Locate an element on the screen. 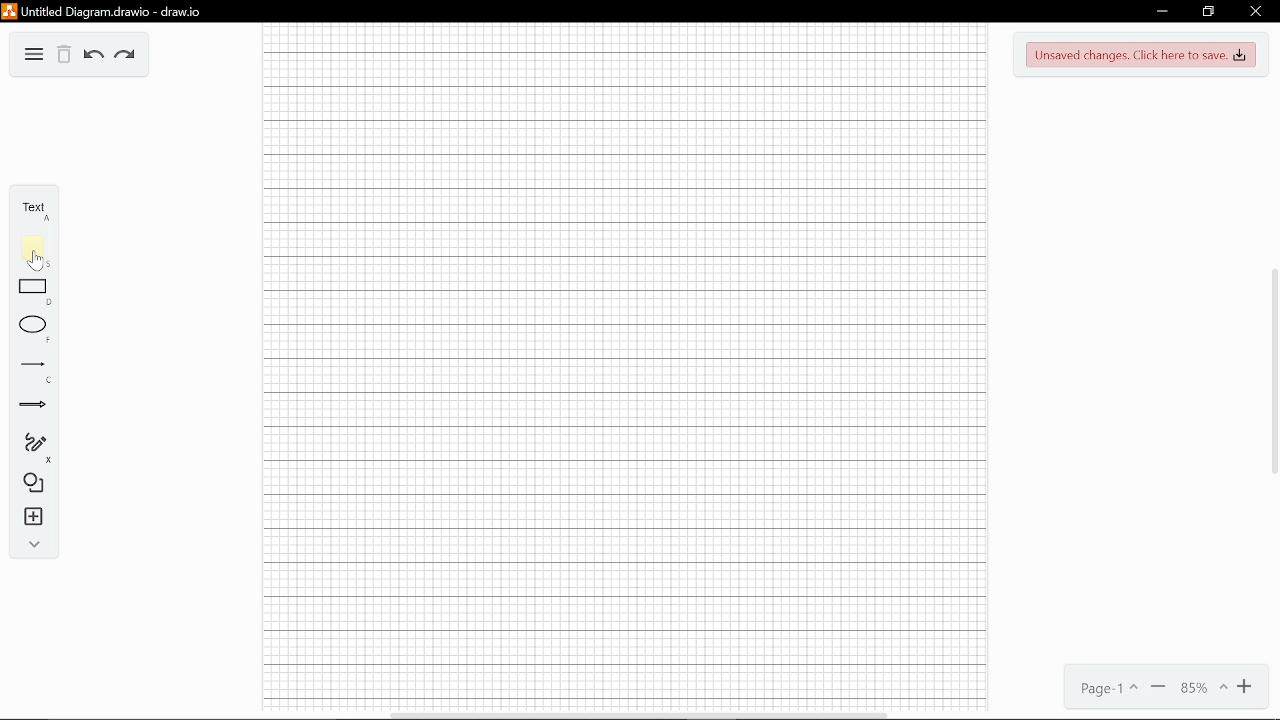 The image size is (1280, 720). Zoom in is located at coordinates (1249, 687).